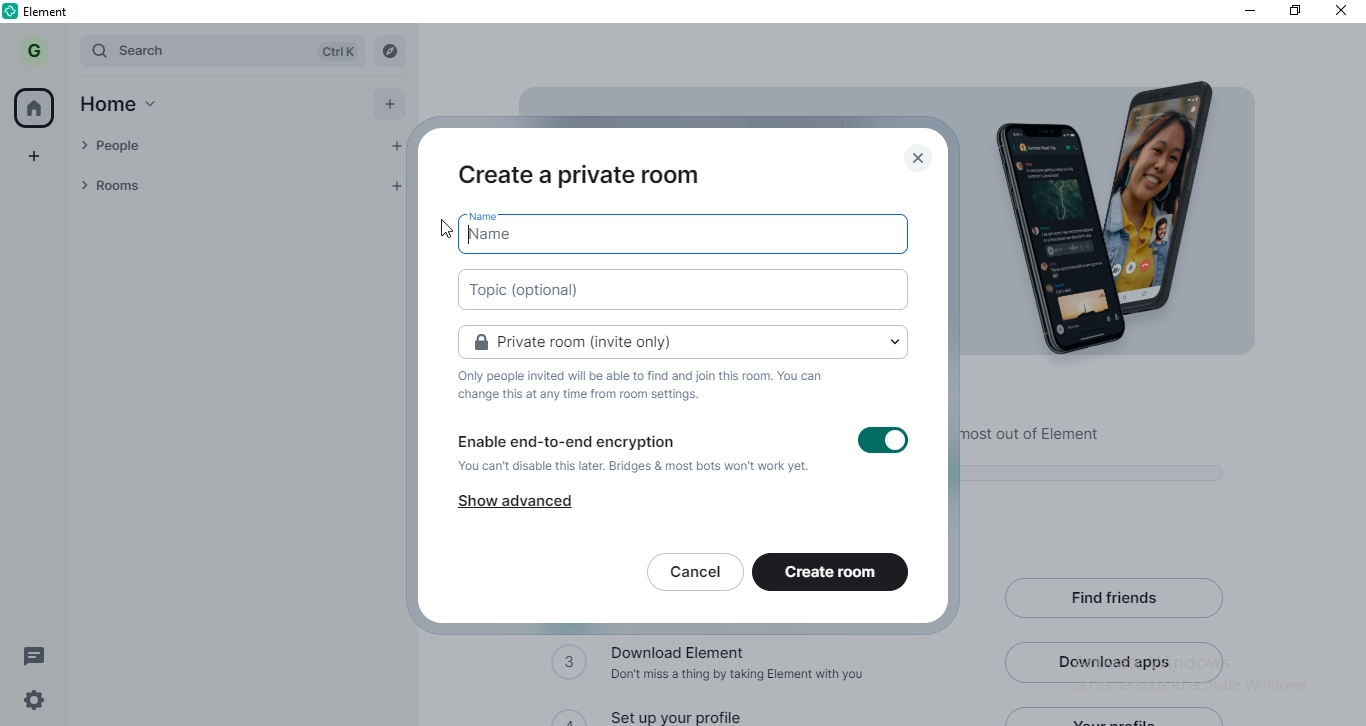 This screenshot has height=726, width=1366. What do you see at coordinates (684, 291) in the screenshot?
I see `new video room` at bounding box center [684, 291].